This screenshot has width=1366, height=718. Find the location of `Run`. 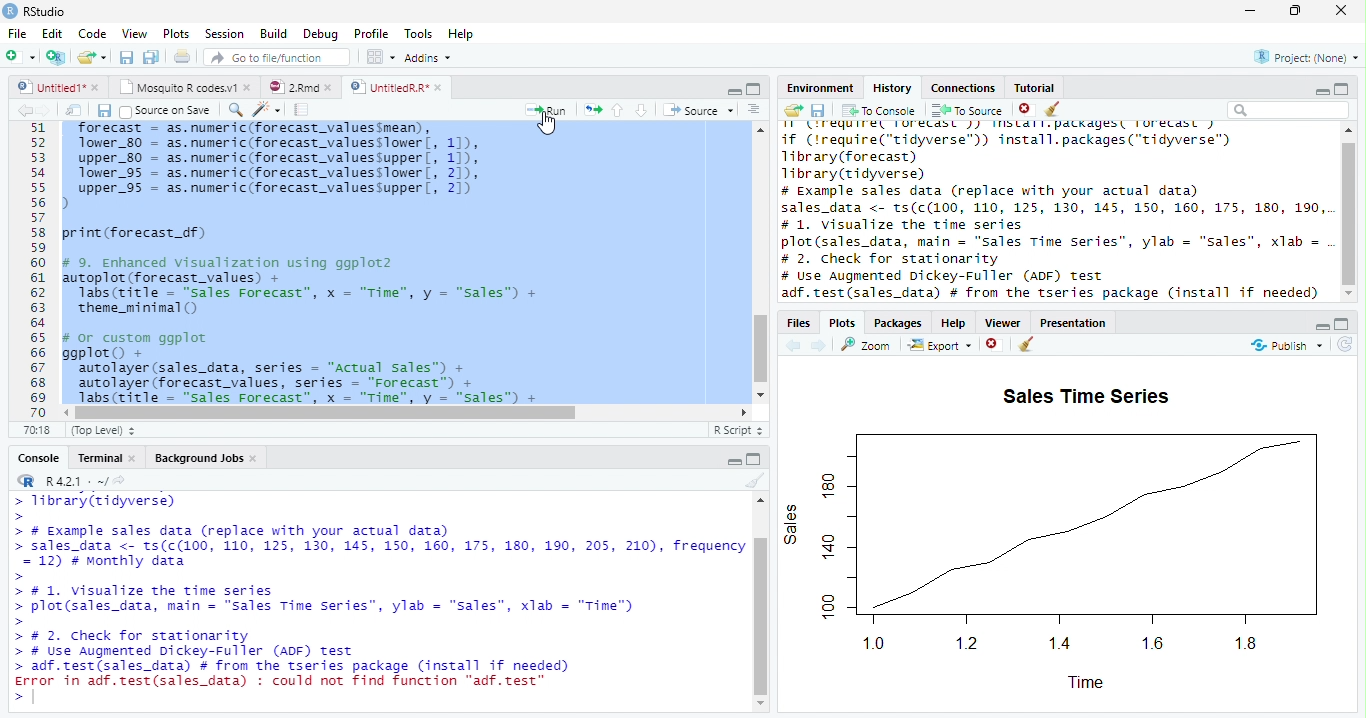

Run is located at coordinates (542, 111).